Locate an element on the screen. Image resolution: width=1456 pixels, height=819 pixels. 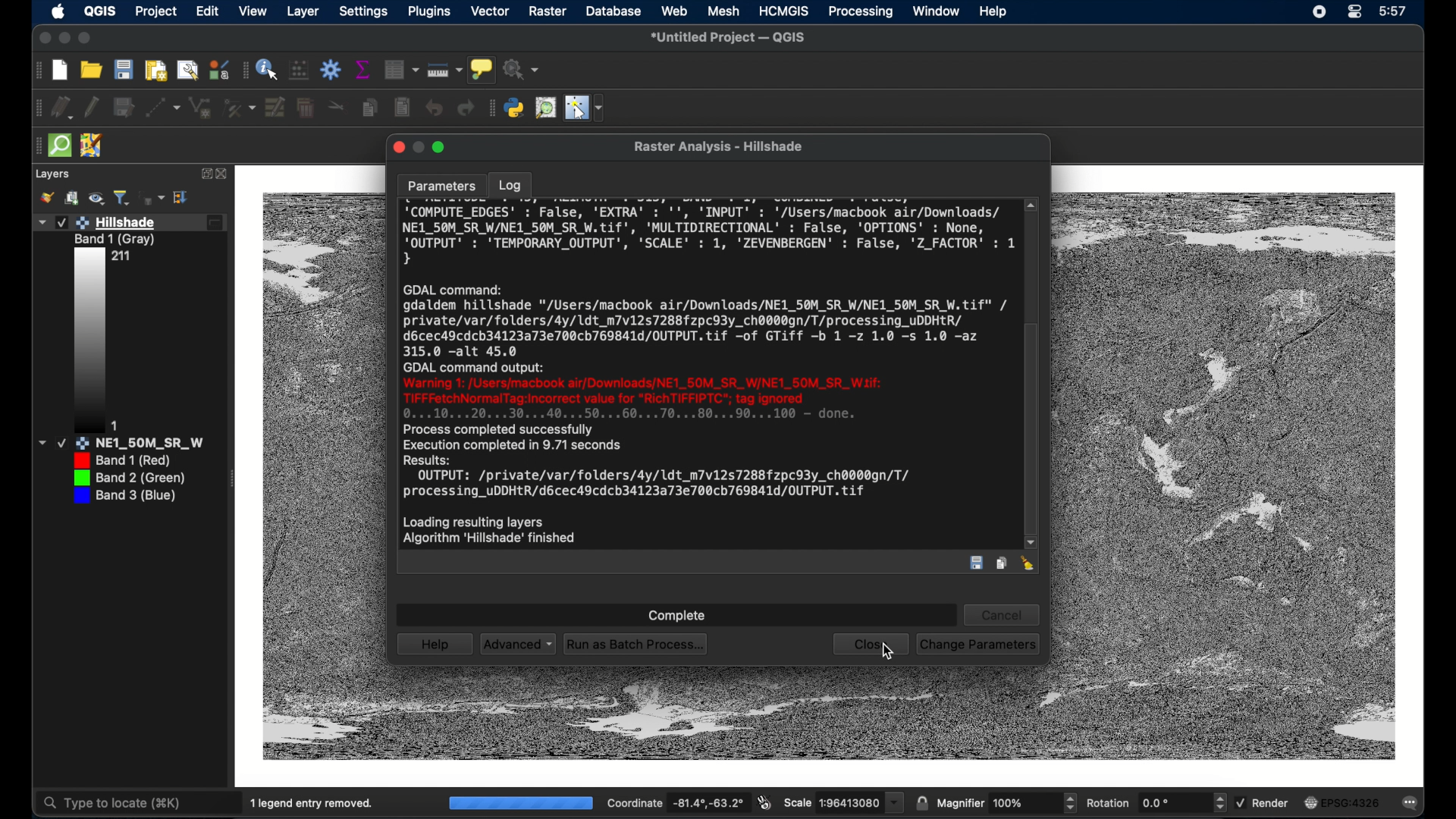
211 is located at coordinates (124, 256).